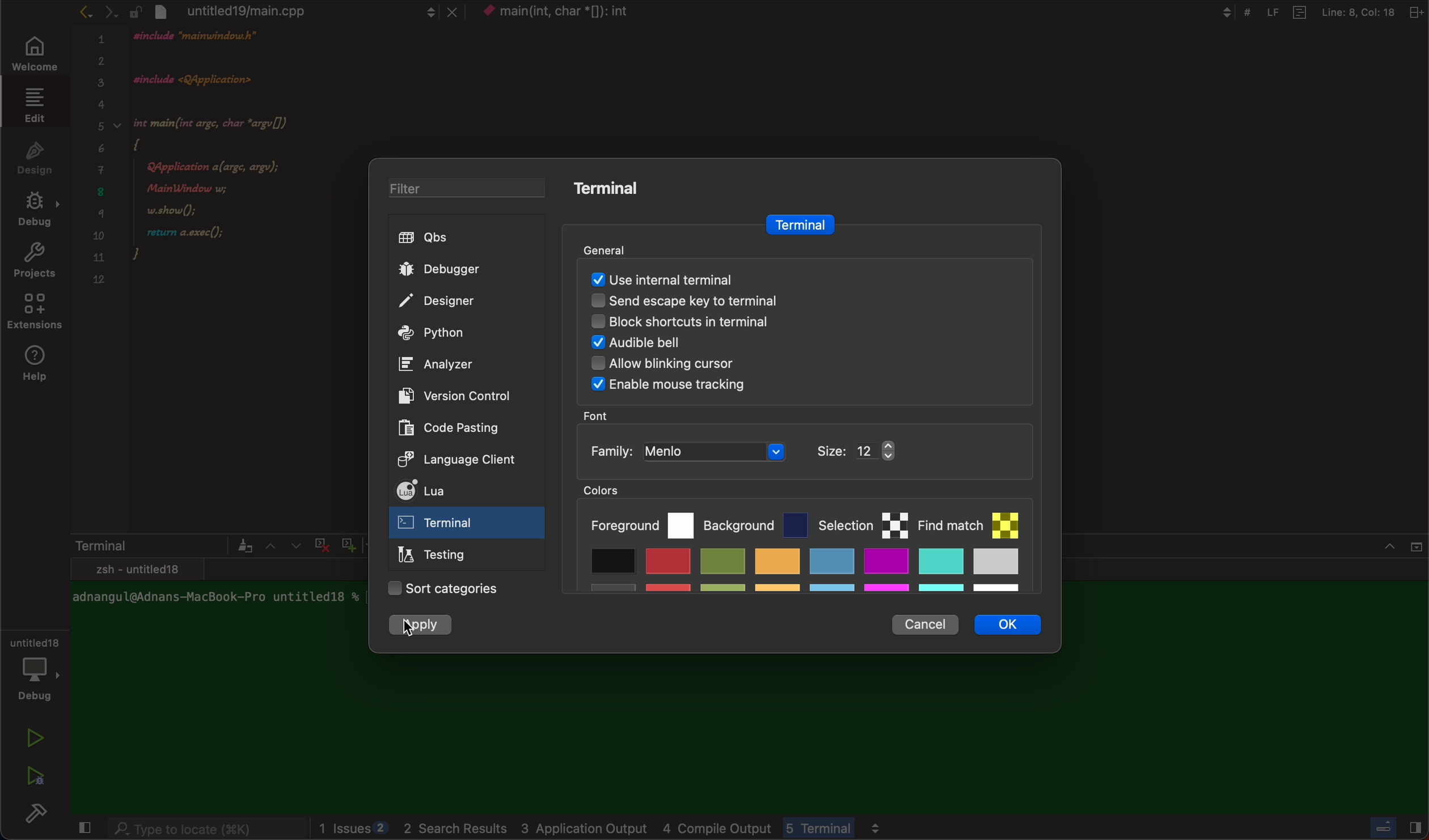 Image resolution: width=1429 pixels, height=840 pixels. What do you see at coordinates (442, 364) in the screenshot?
I see `analyzer` at bounding box center [442, 364].